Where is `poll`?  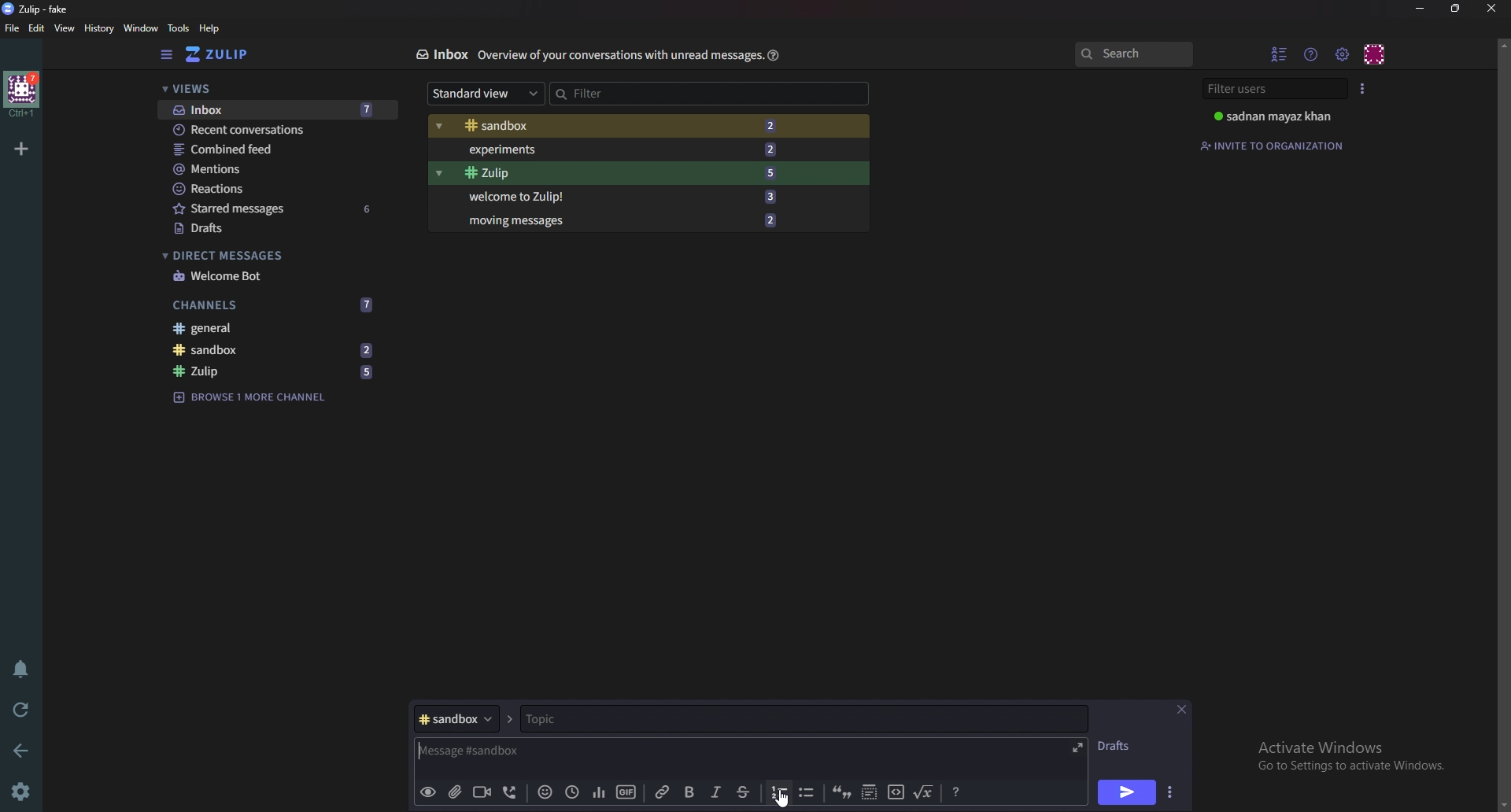
poll is located at coordinates (596, 792).